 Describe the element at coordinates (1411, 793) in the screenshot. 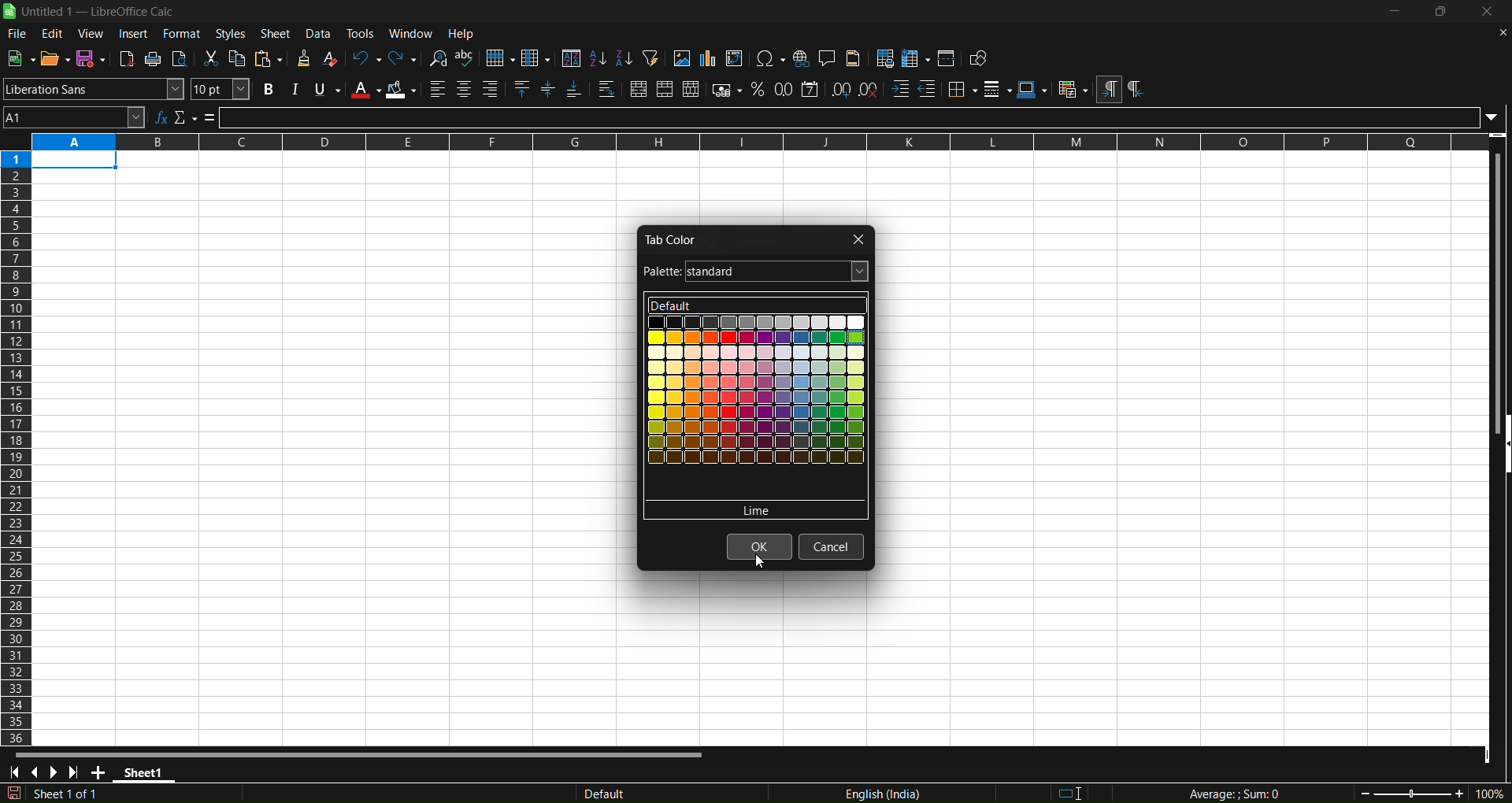

I see `zoom factor` at that location.